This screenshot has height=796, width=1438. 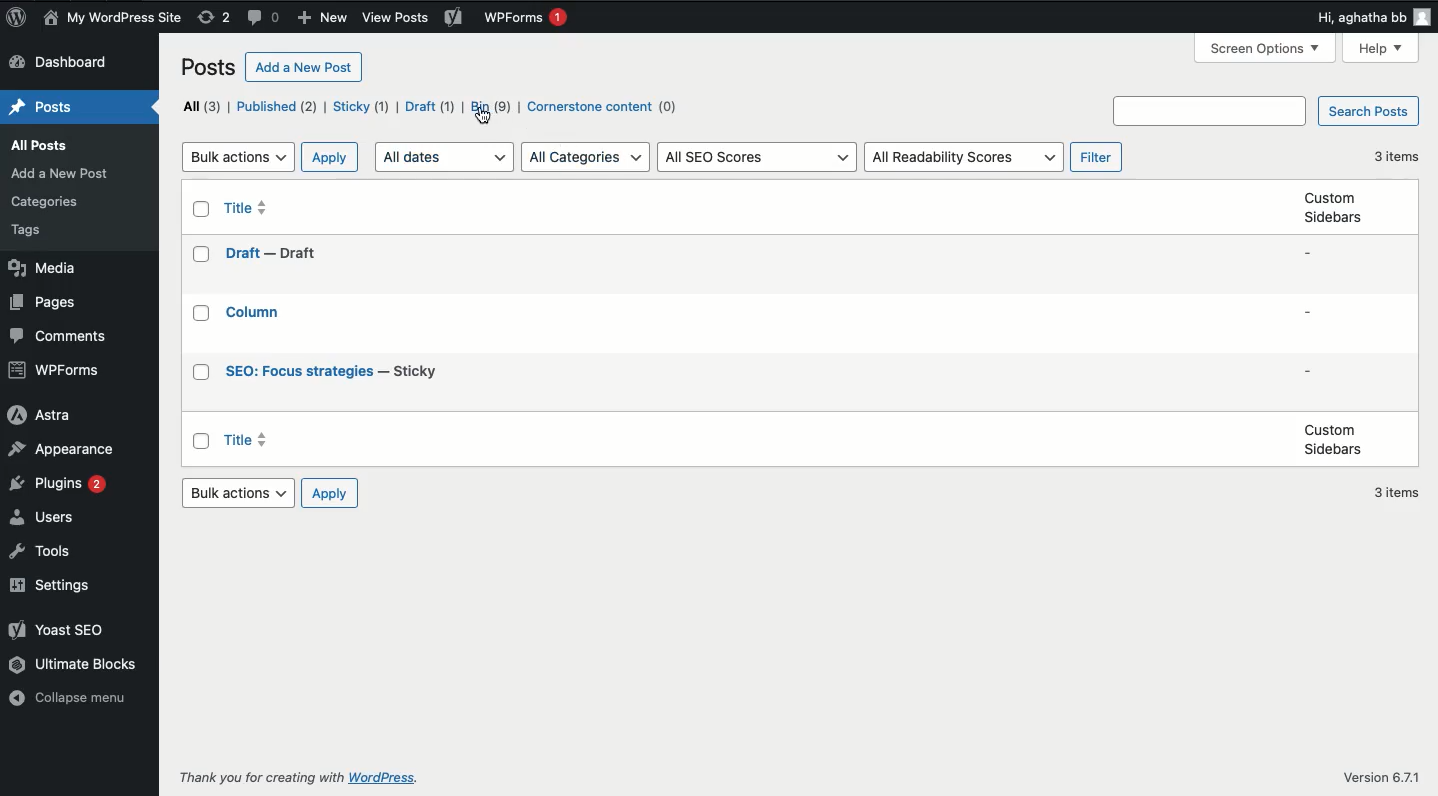 I want to click on all posts, so click(x=41, y=146).